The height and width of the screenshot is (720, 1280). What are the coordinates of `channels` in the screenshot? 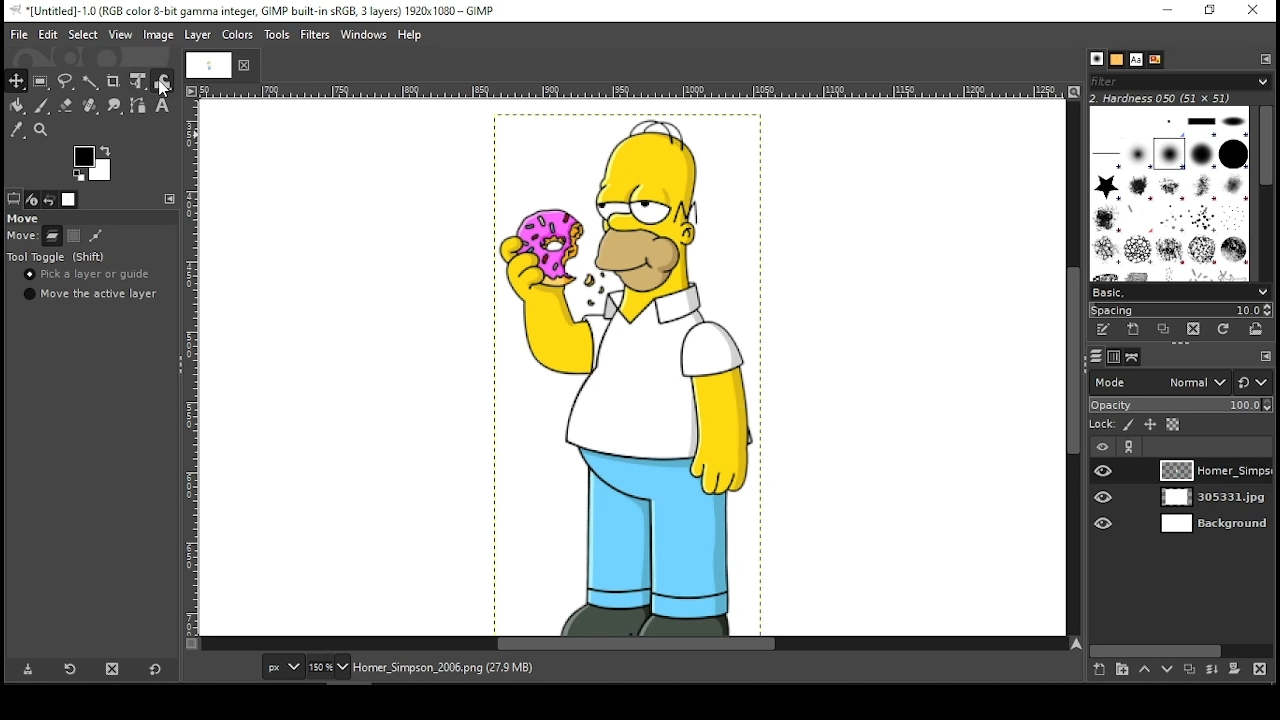 It's located at (1115, 357).